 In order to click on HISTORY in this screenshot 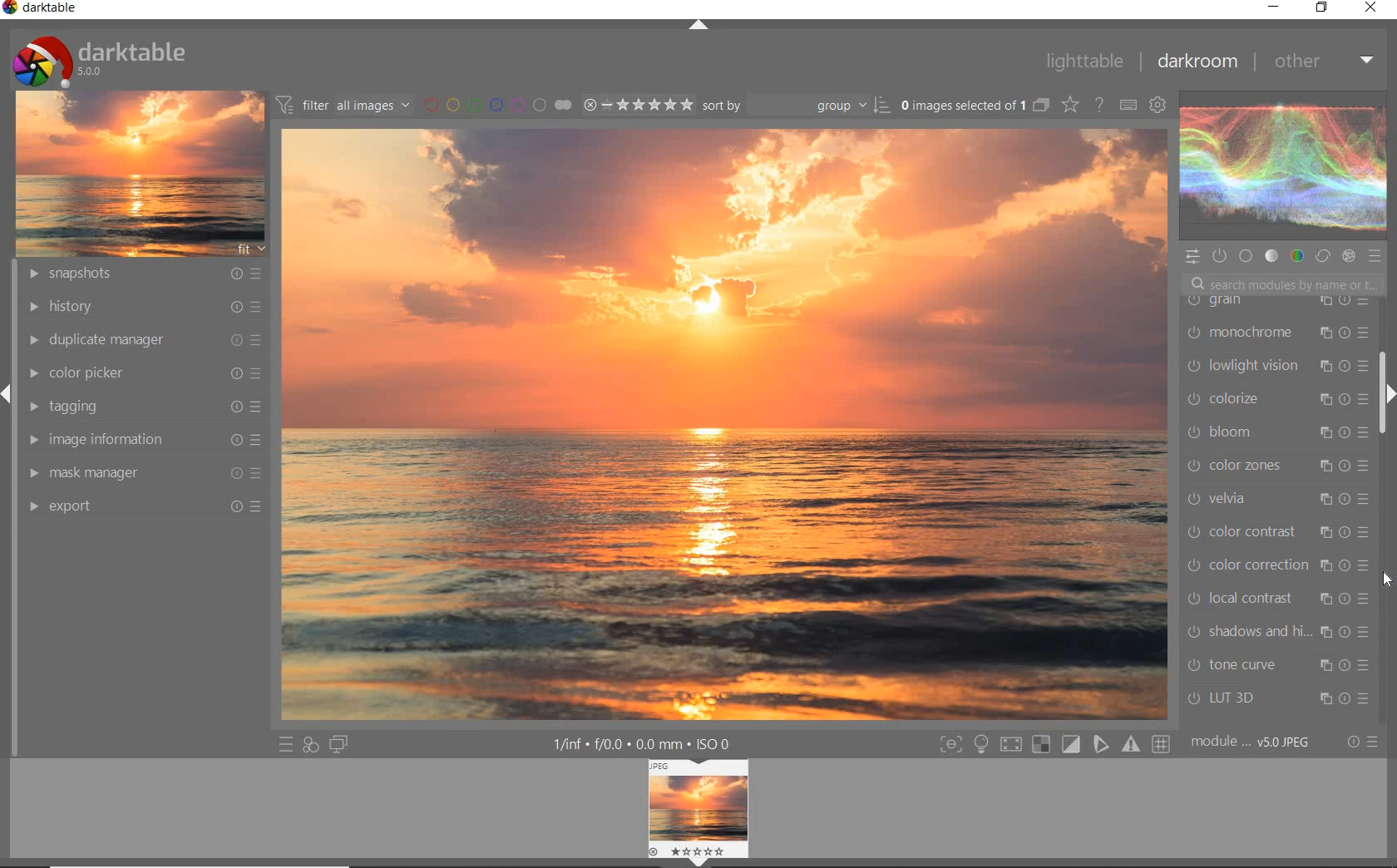, I will do `click(143, 307)`.